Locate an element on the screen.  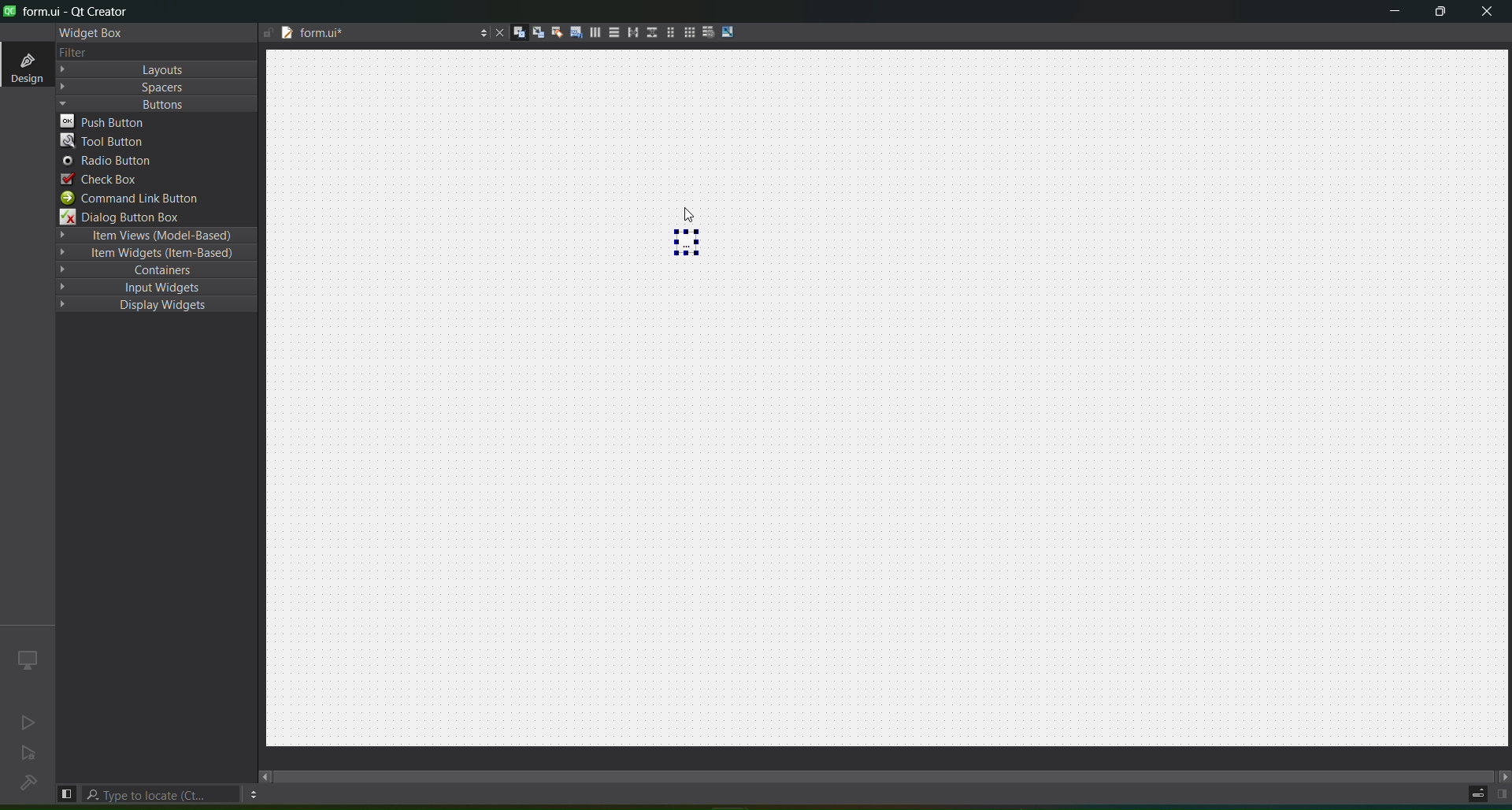
containers is located at coordinates (157, 272).